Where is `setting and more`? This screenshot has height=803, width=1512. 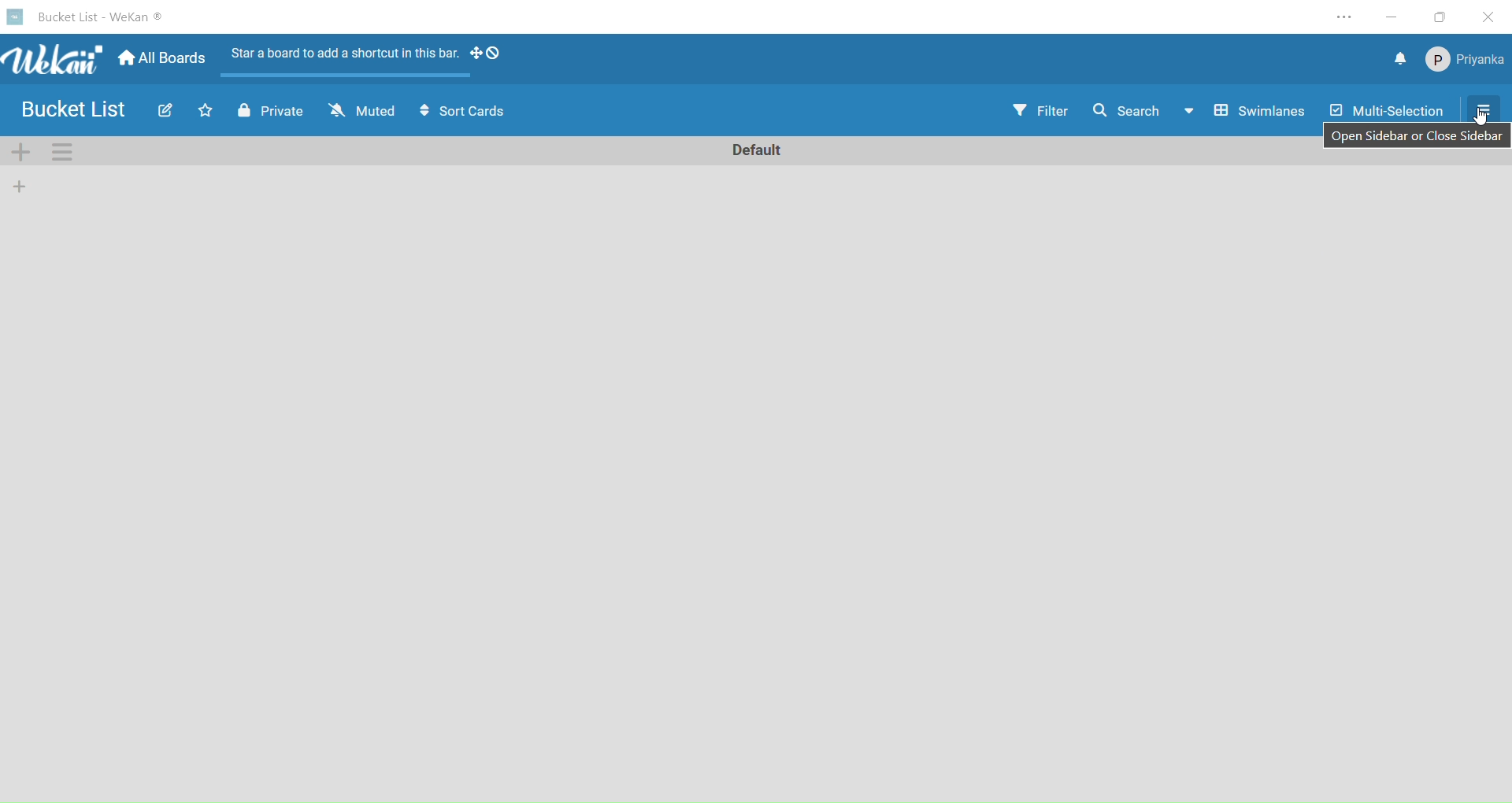
setting and more is located at coordinates (1344, 19).